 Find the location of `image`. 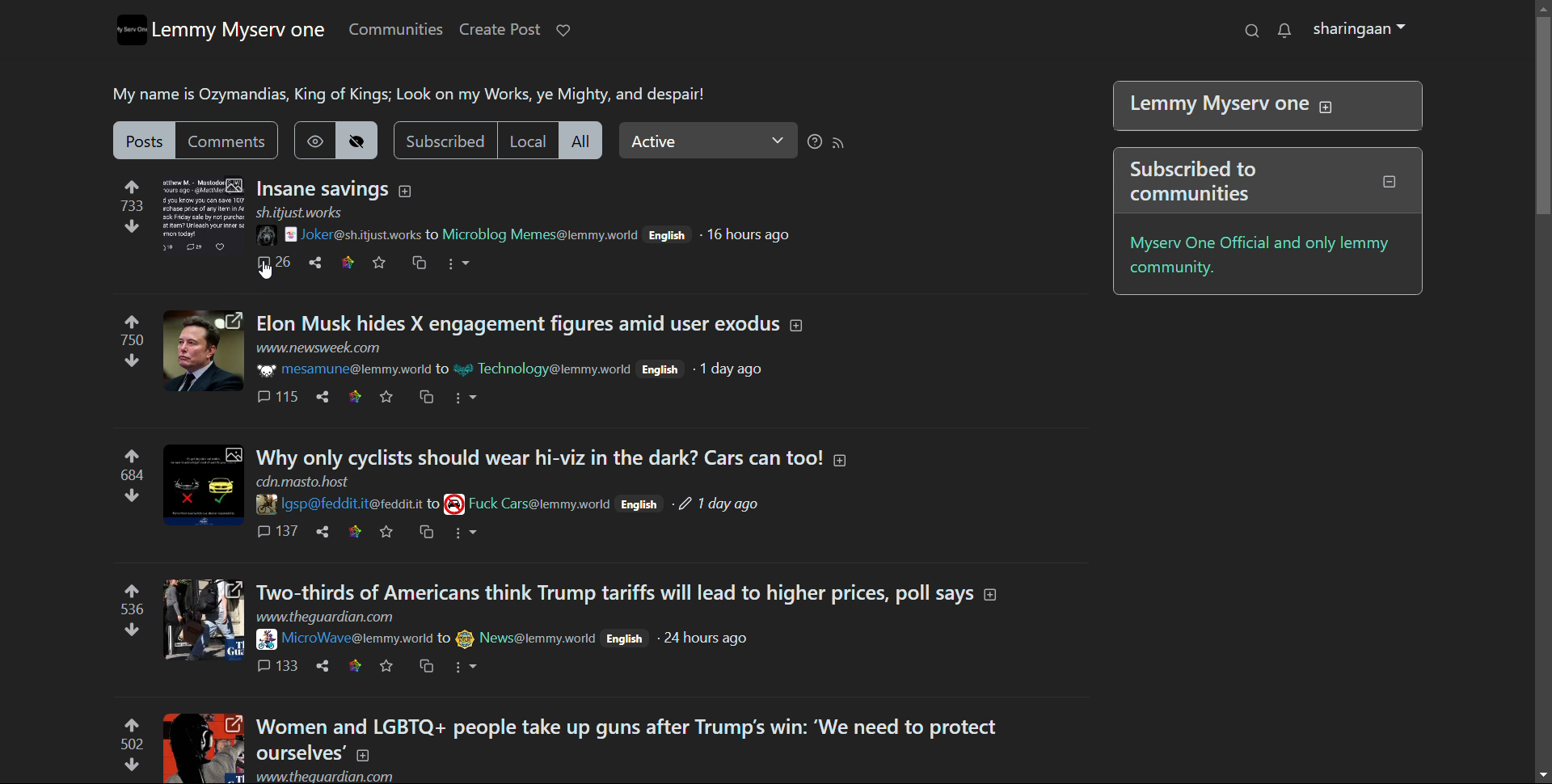

image is located at coordinates (263, 640).